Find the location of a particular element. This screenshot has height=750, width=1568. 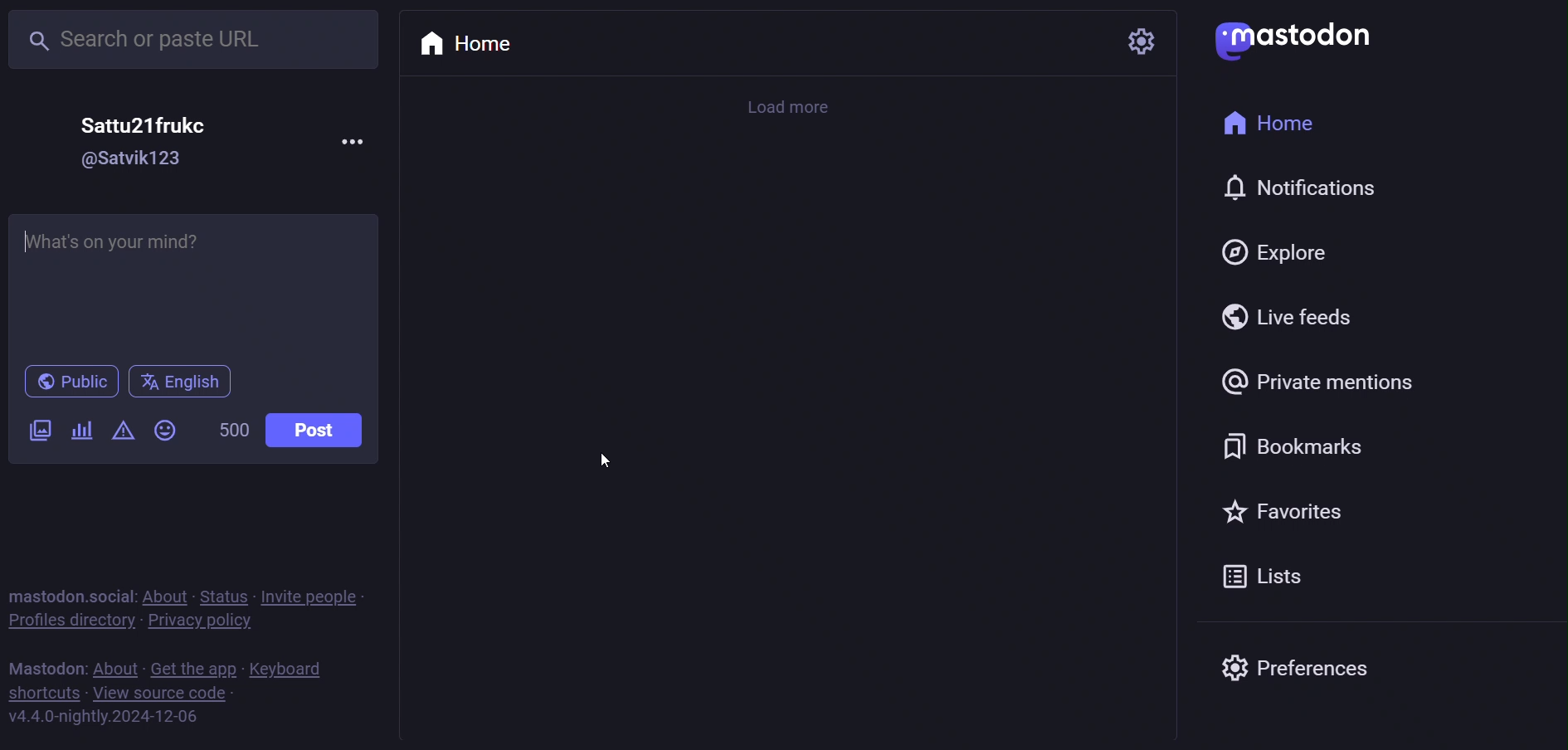

emoji is located at coordinates (163, 431).